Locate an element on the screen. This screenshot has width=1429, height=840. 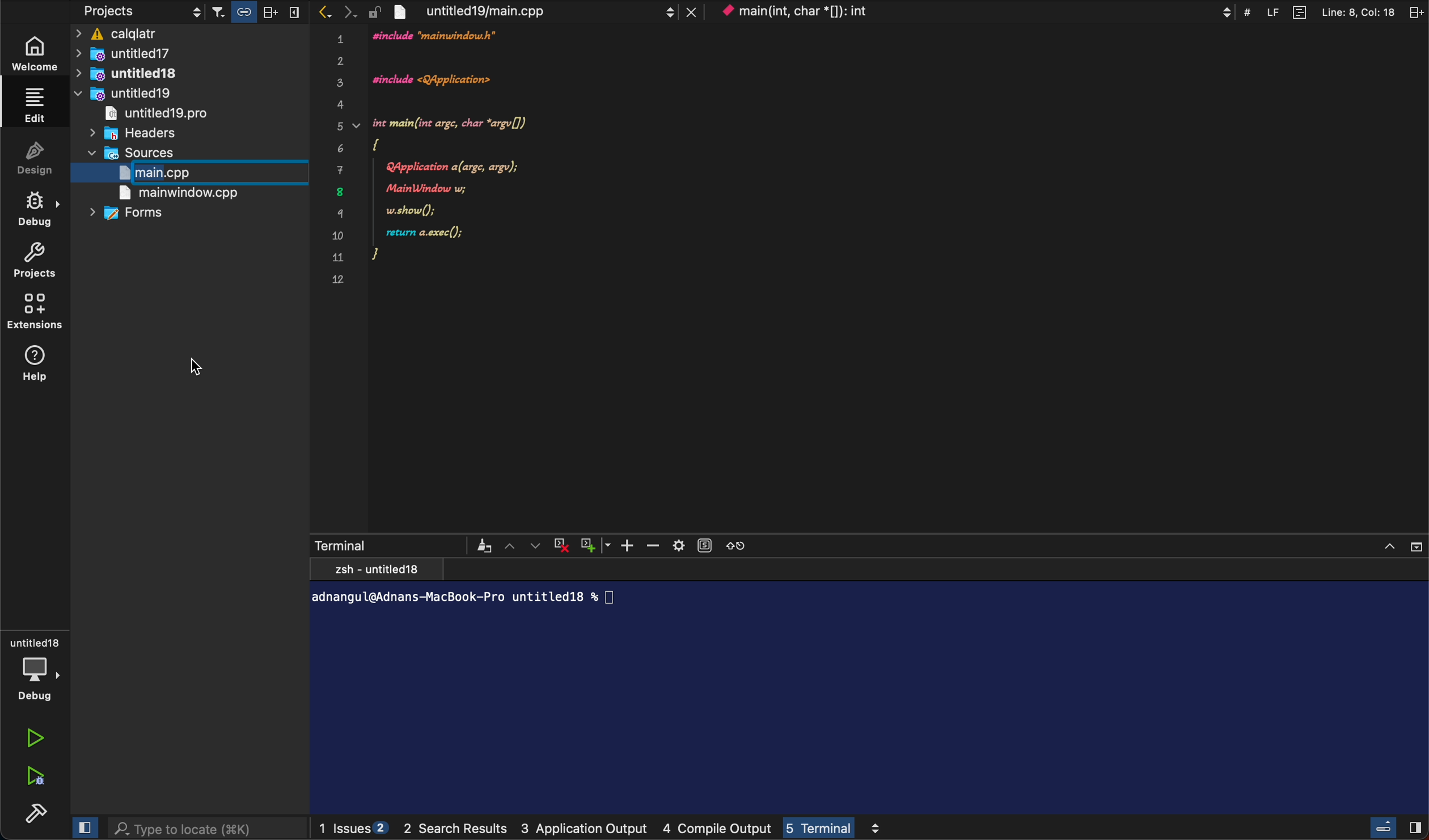
search bar is located at coordinates (208, 829).